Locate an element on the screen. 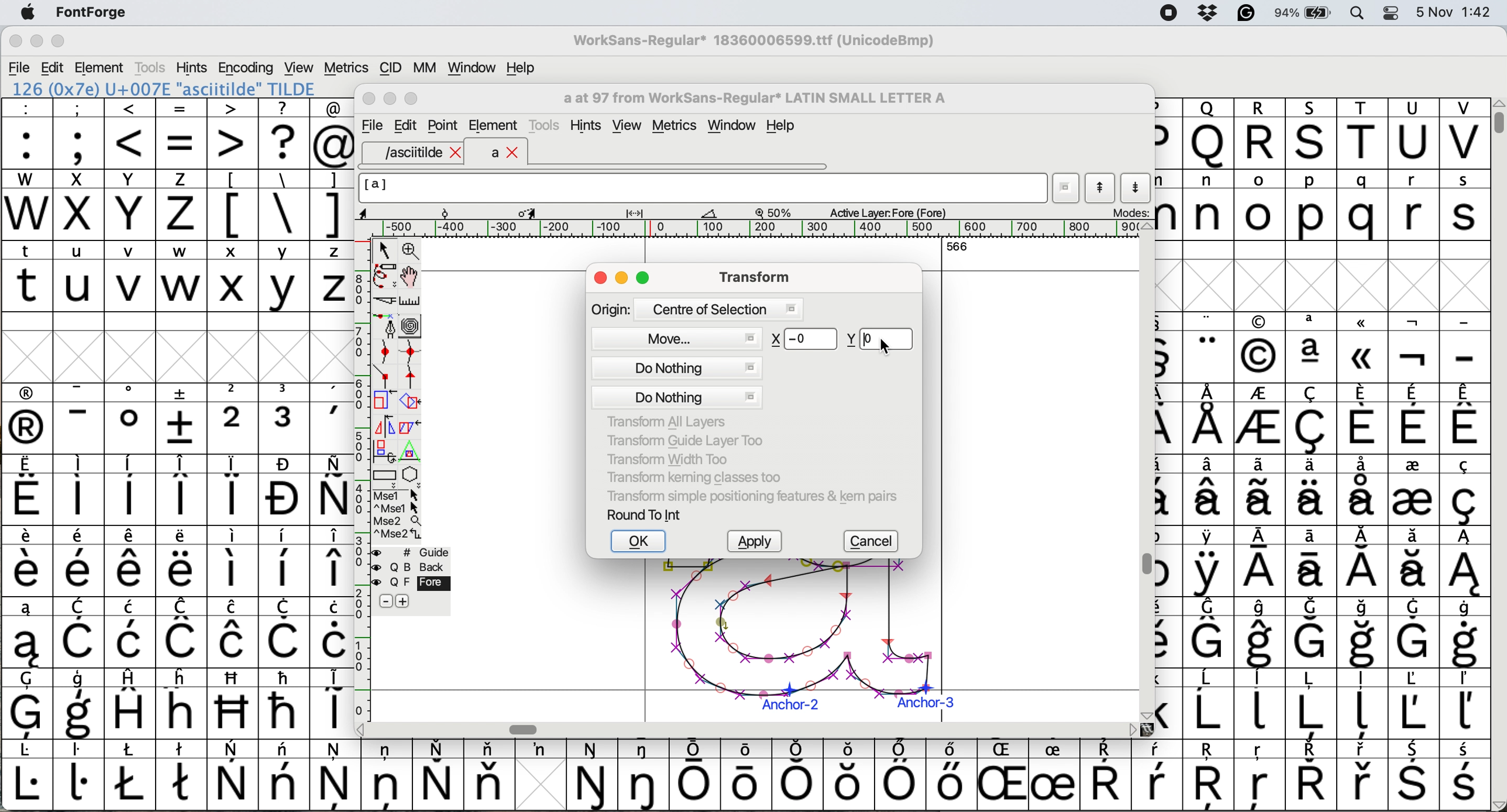  scale selection is located at coordinates (386, 400).